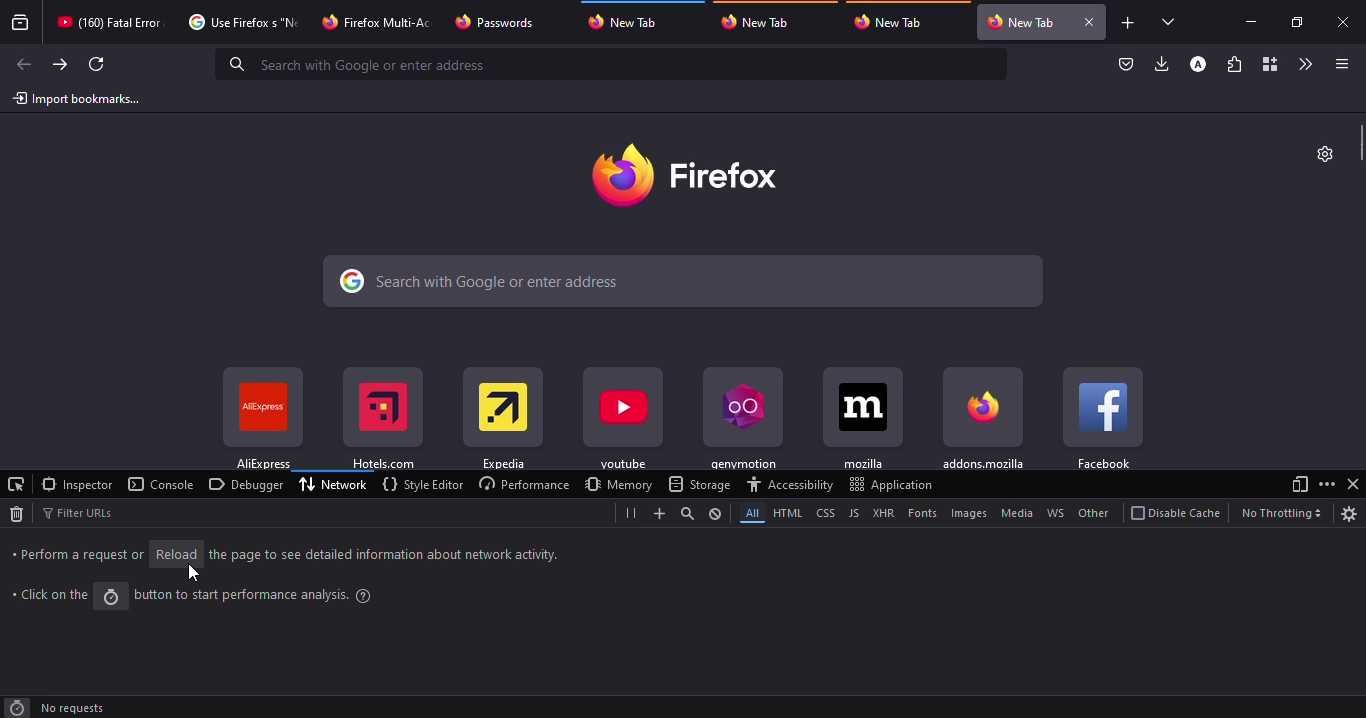 The height and width of the screenshot is (718, 1366). I want to click on tab, so click(893, 22).